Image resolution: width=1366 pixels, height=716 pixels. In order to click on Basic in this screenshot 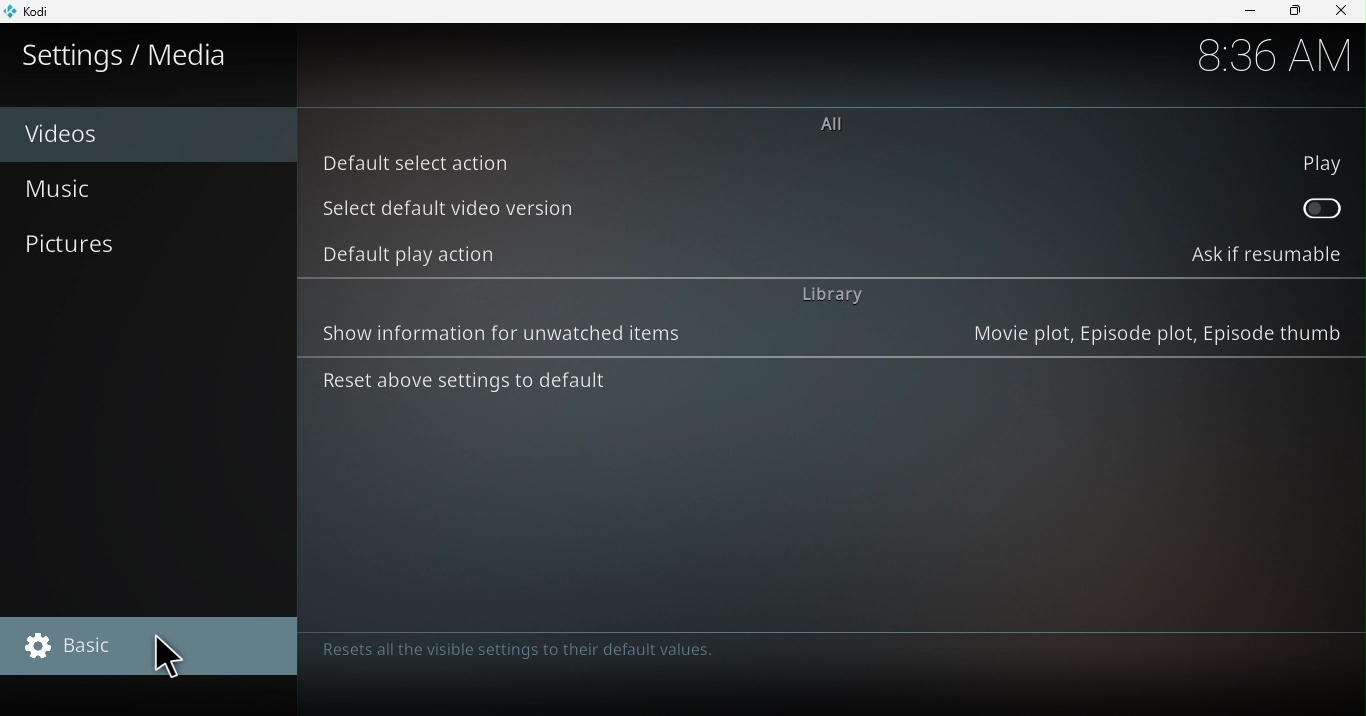, I will do `click(155, 649)`.